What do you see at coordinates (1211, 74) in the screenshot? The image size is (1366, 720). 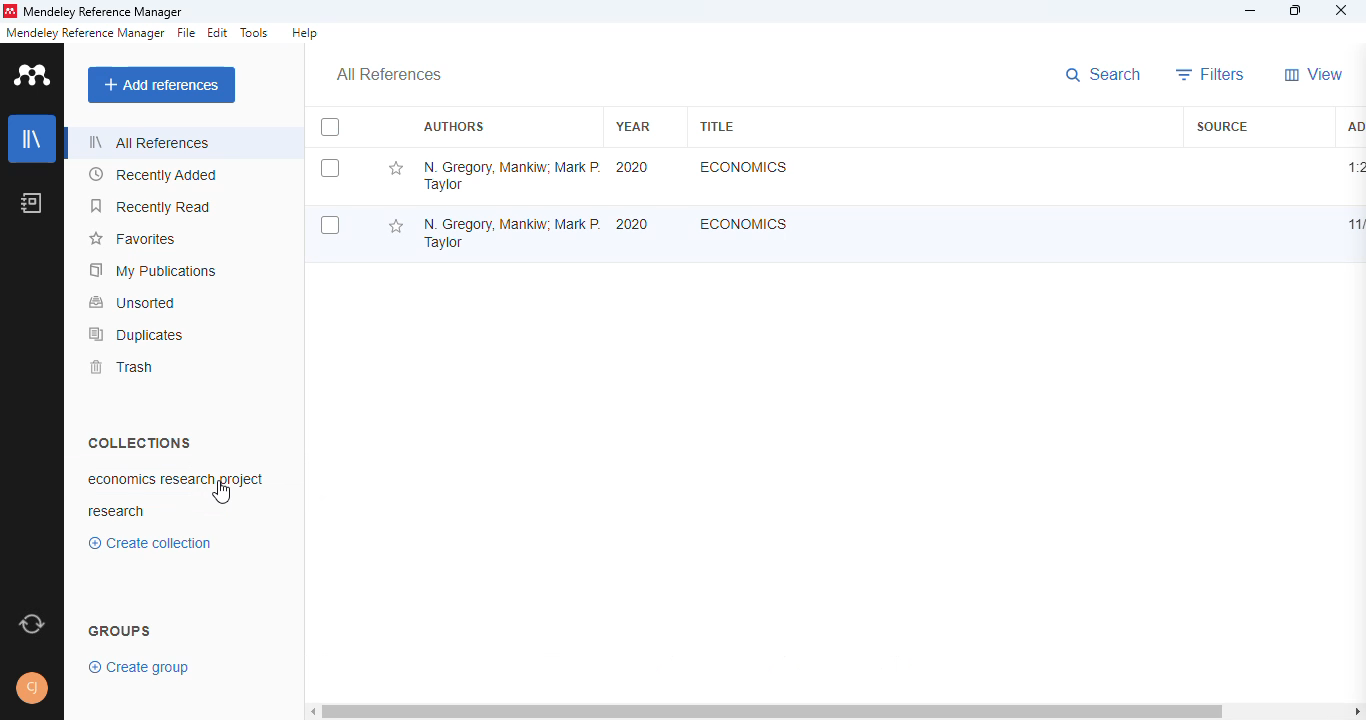 I see `filters` at bounding box center [1211, 74].